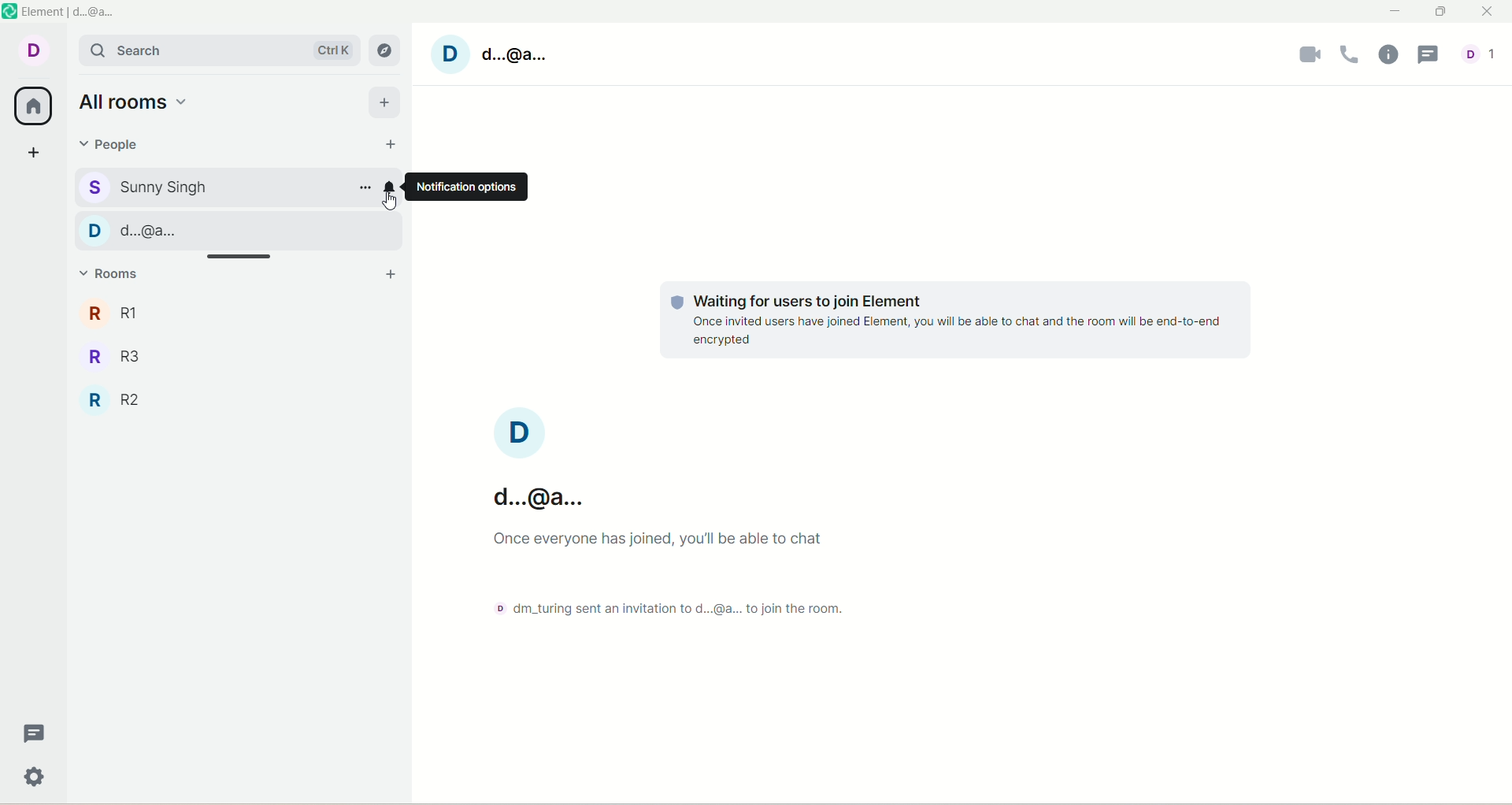 The width and height of the screenshot is (1512, 805). What do you see at coordinates (1306, 58) in the screenshot?
I see `video call` at bounding box center [1306, 58].